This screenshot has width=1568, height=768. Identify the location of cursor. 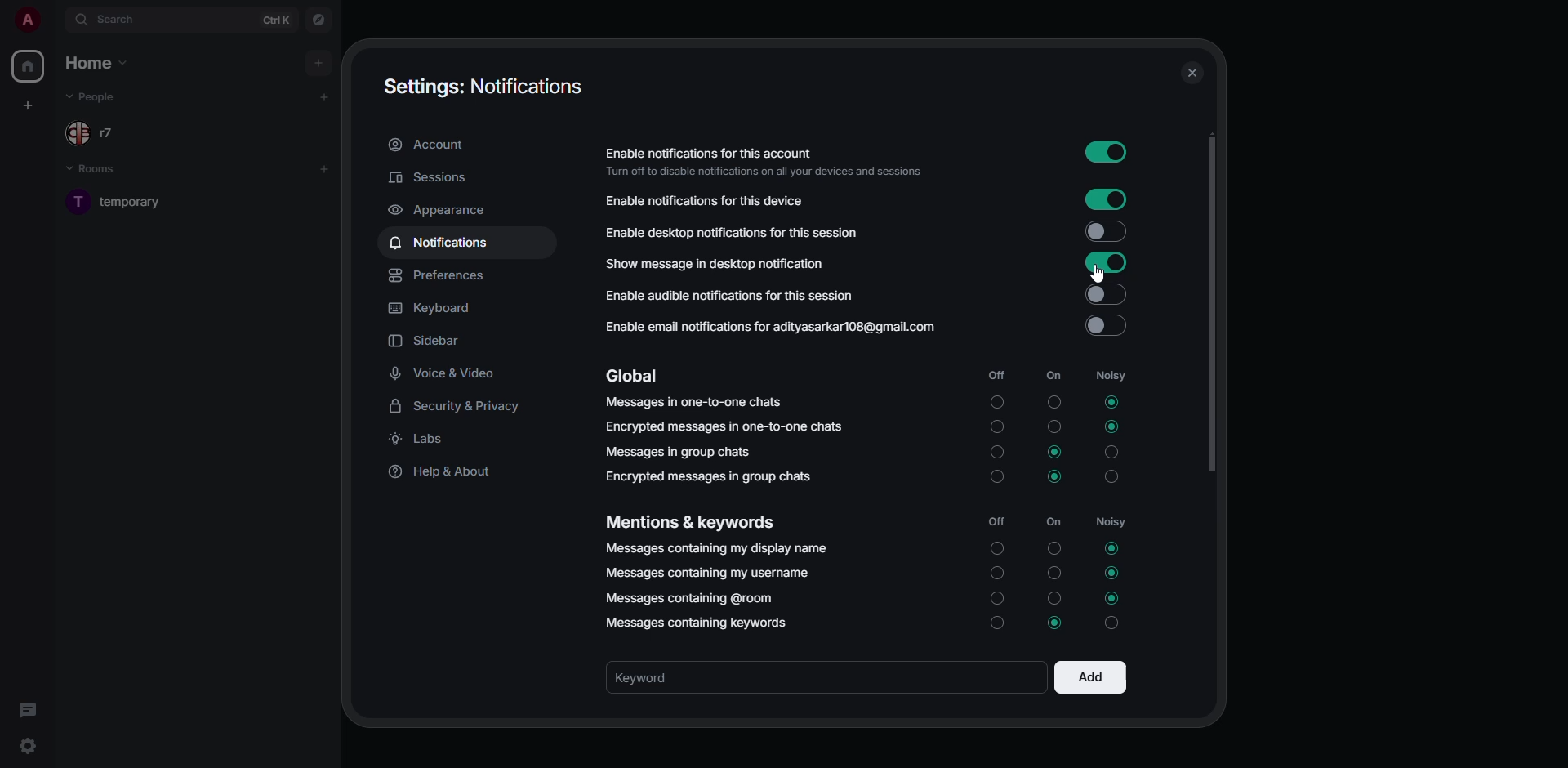
(1096, 273).